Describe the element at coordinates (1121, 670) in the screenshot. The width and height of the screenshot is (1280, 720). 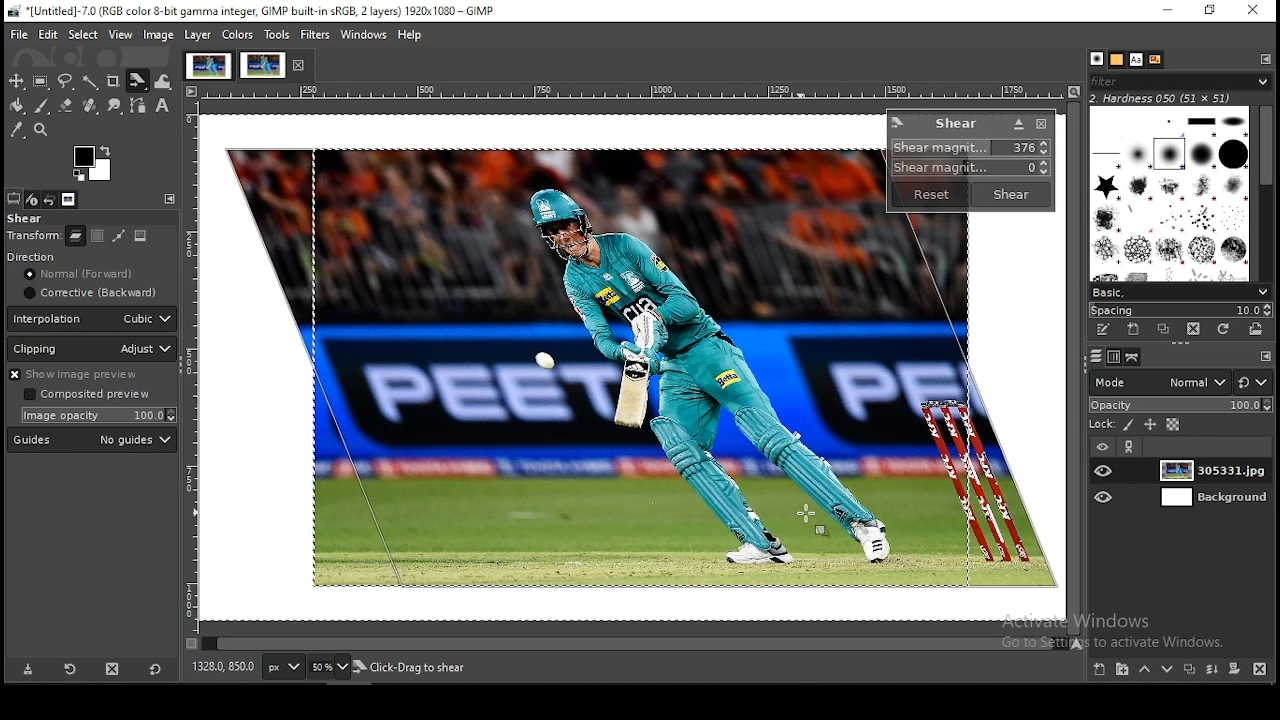
I see `new layer group` at that location.